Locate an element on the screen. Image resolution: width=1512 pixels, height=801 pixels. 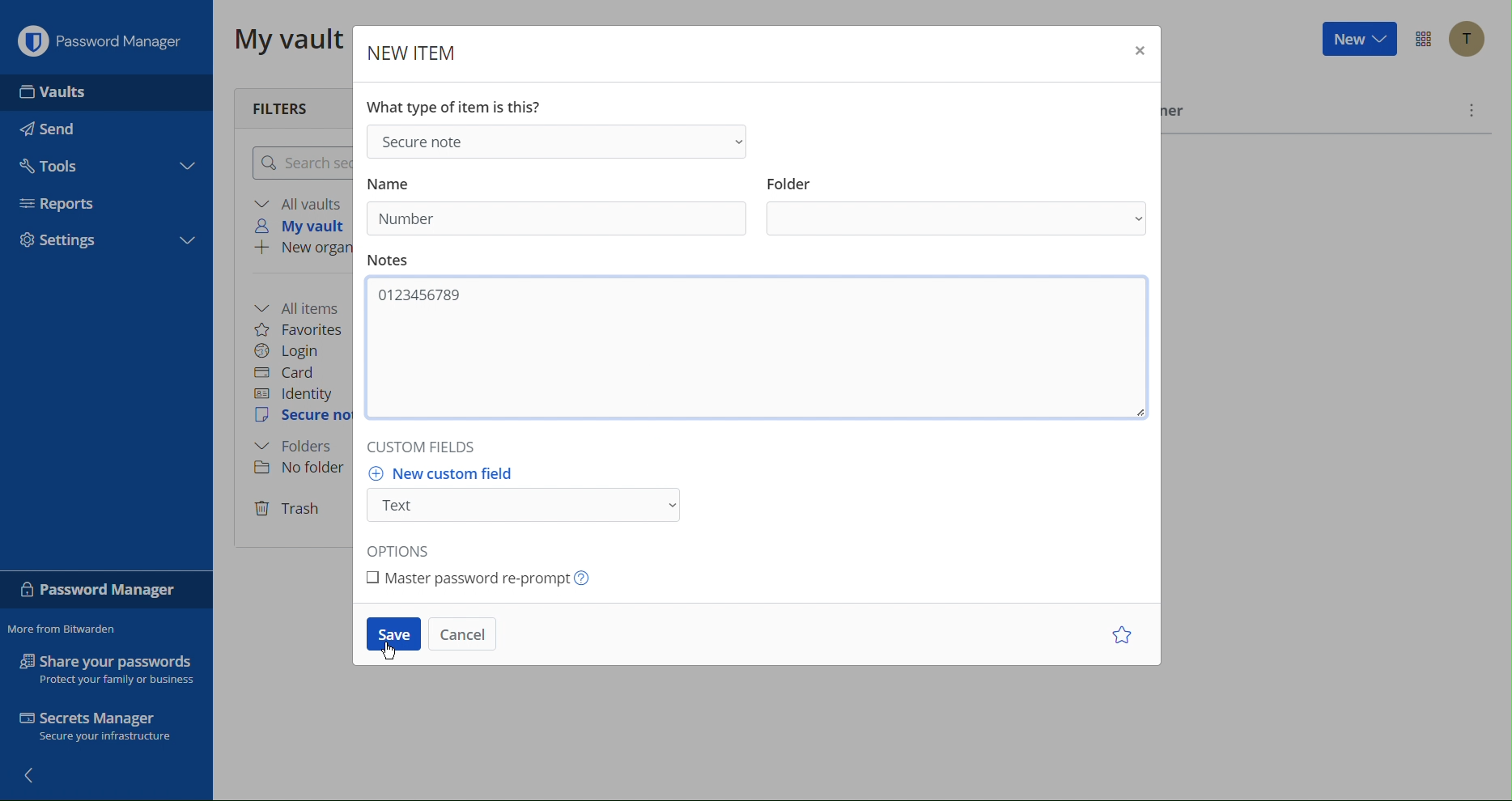
0123456789 is located at coordinates (422, 295).